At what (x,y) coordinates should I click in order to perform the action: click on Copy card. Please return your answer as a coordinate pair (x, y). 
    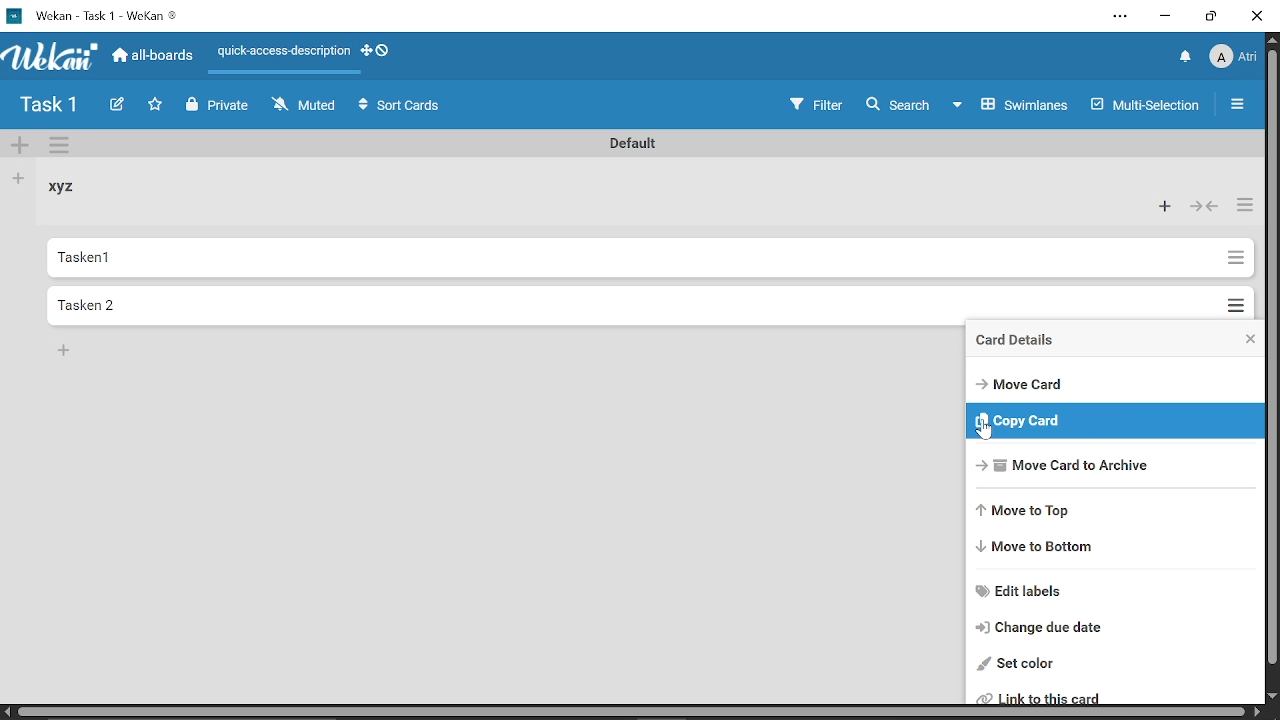
    Looking at the image, I should click on (1119, 421).